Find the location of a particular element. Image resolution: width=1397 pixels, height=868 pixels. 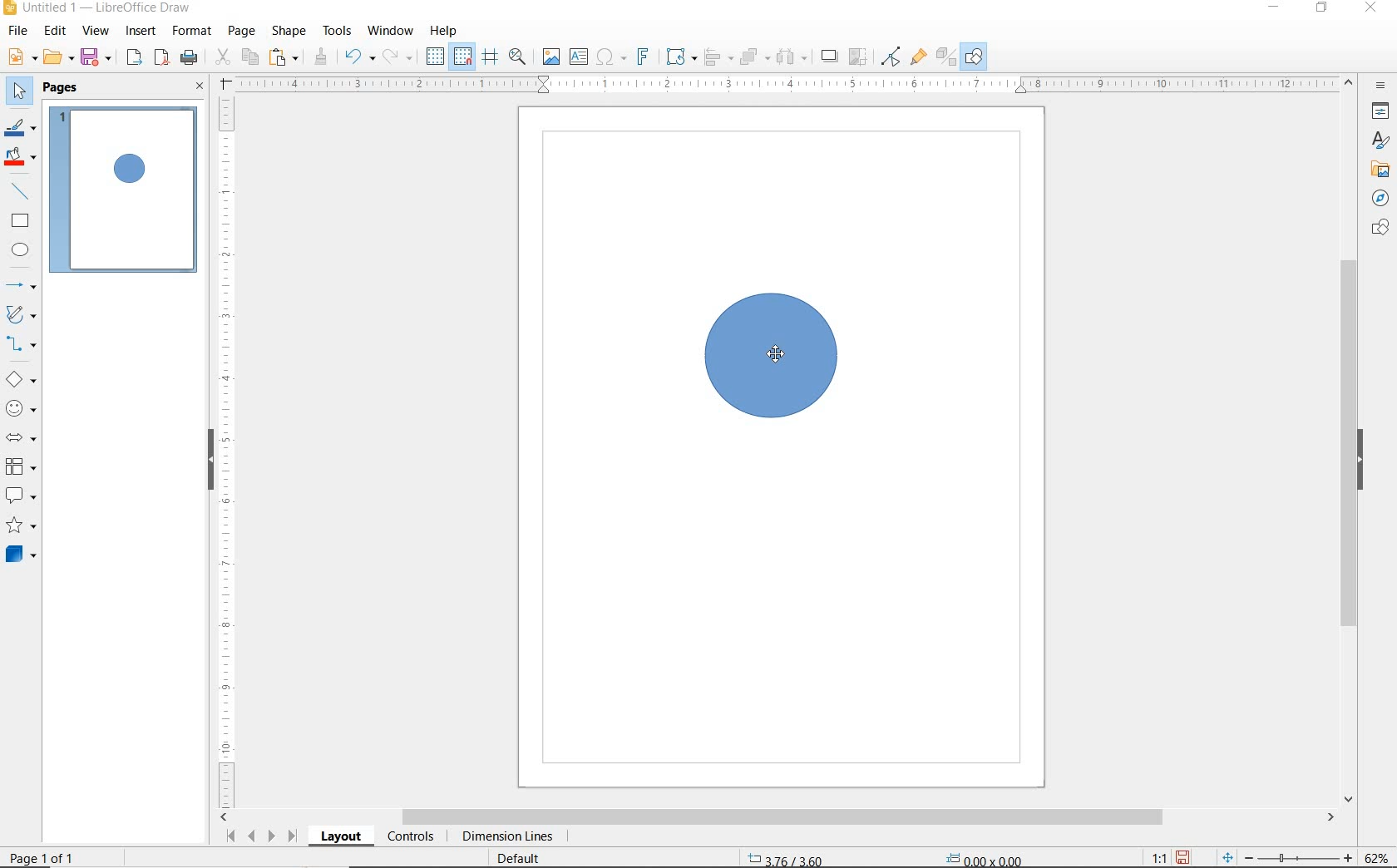

COPY is located at coordinates (250, 58).